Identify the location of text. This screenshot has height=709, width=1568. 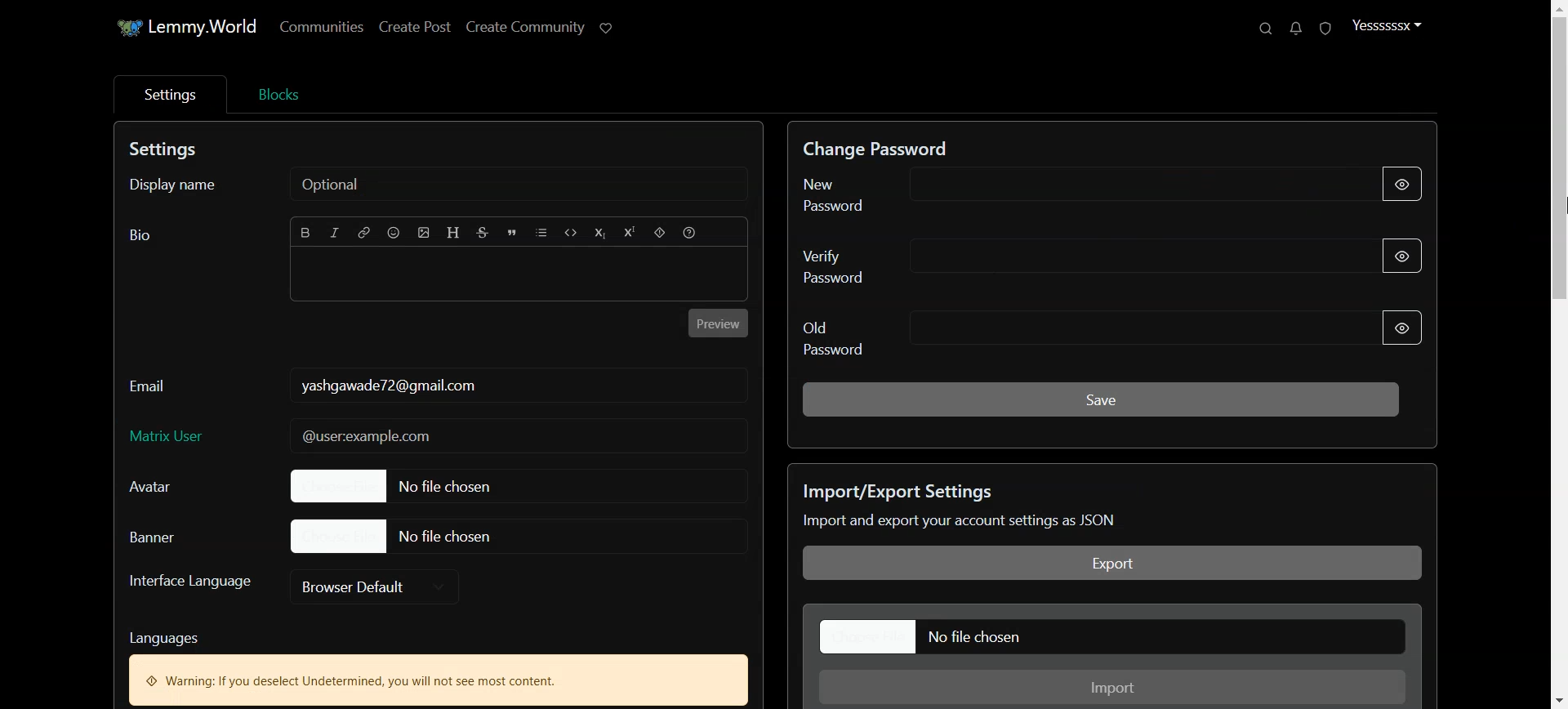
(179, 635).